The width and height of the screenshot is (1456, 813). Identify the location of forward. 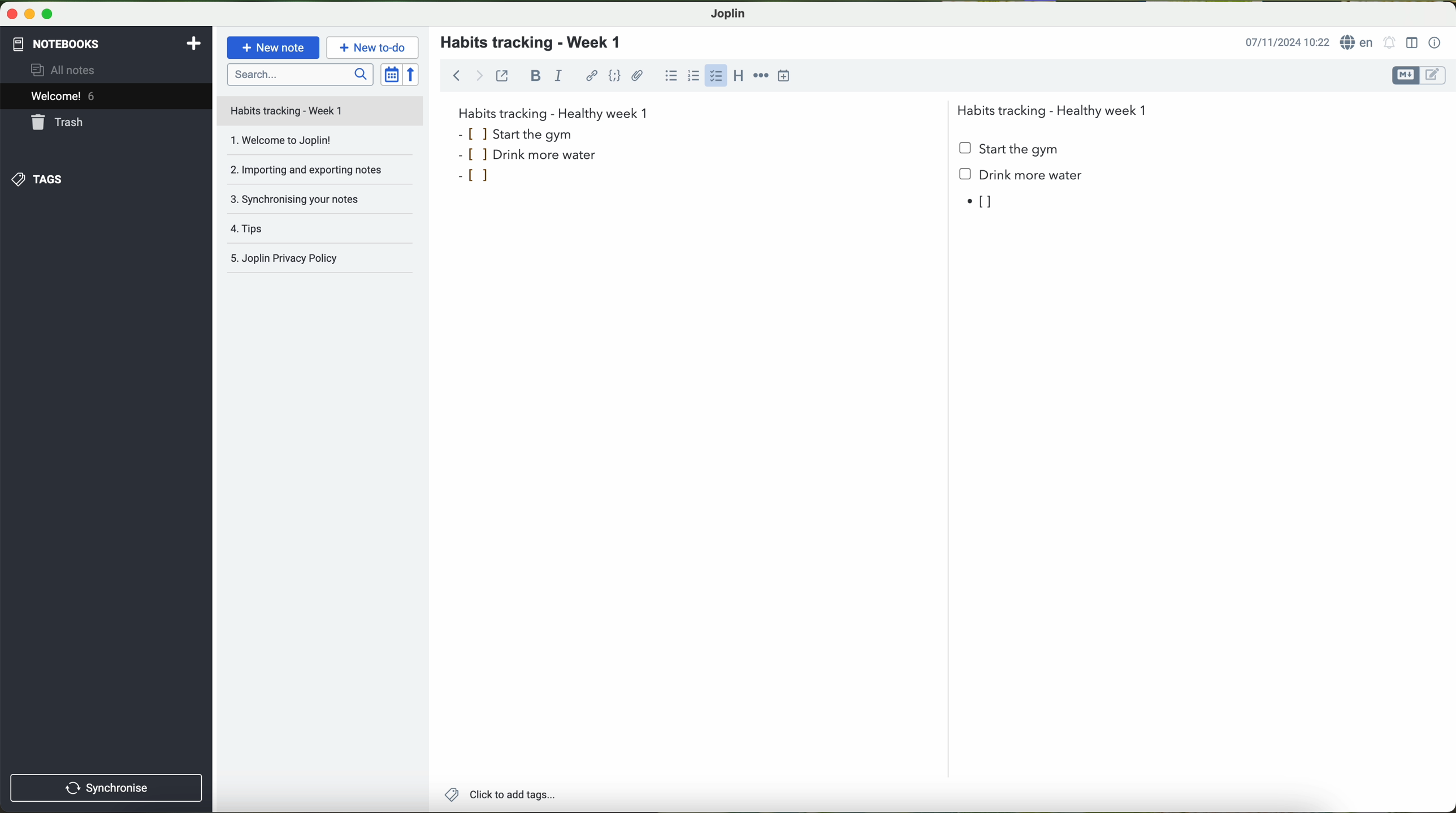
(479, 75).